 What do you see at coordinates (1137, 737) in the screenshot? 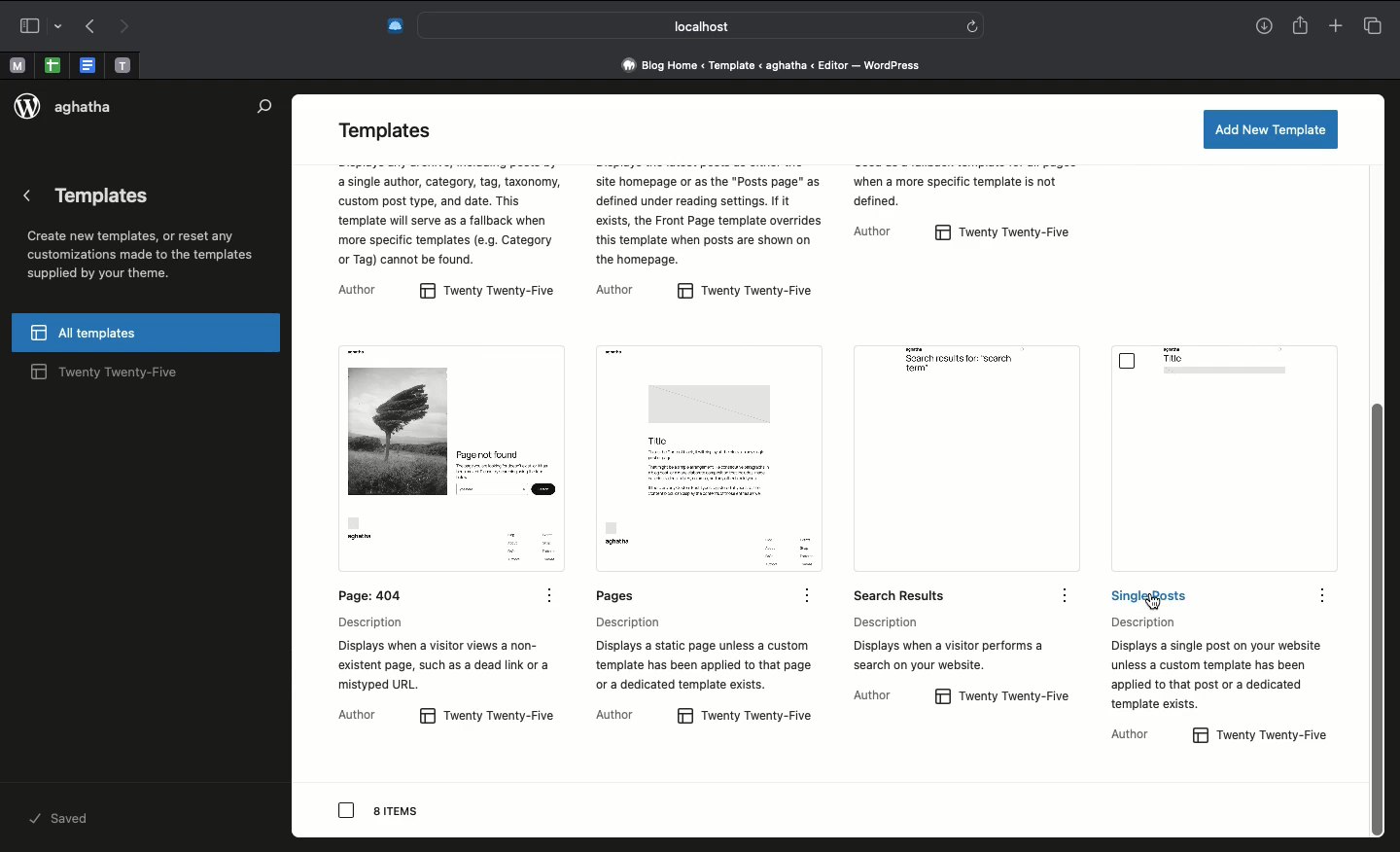
I see `Author` at bounding box center [1137, 737].